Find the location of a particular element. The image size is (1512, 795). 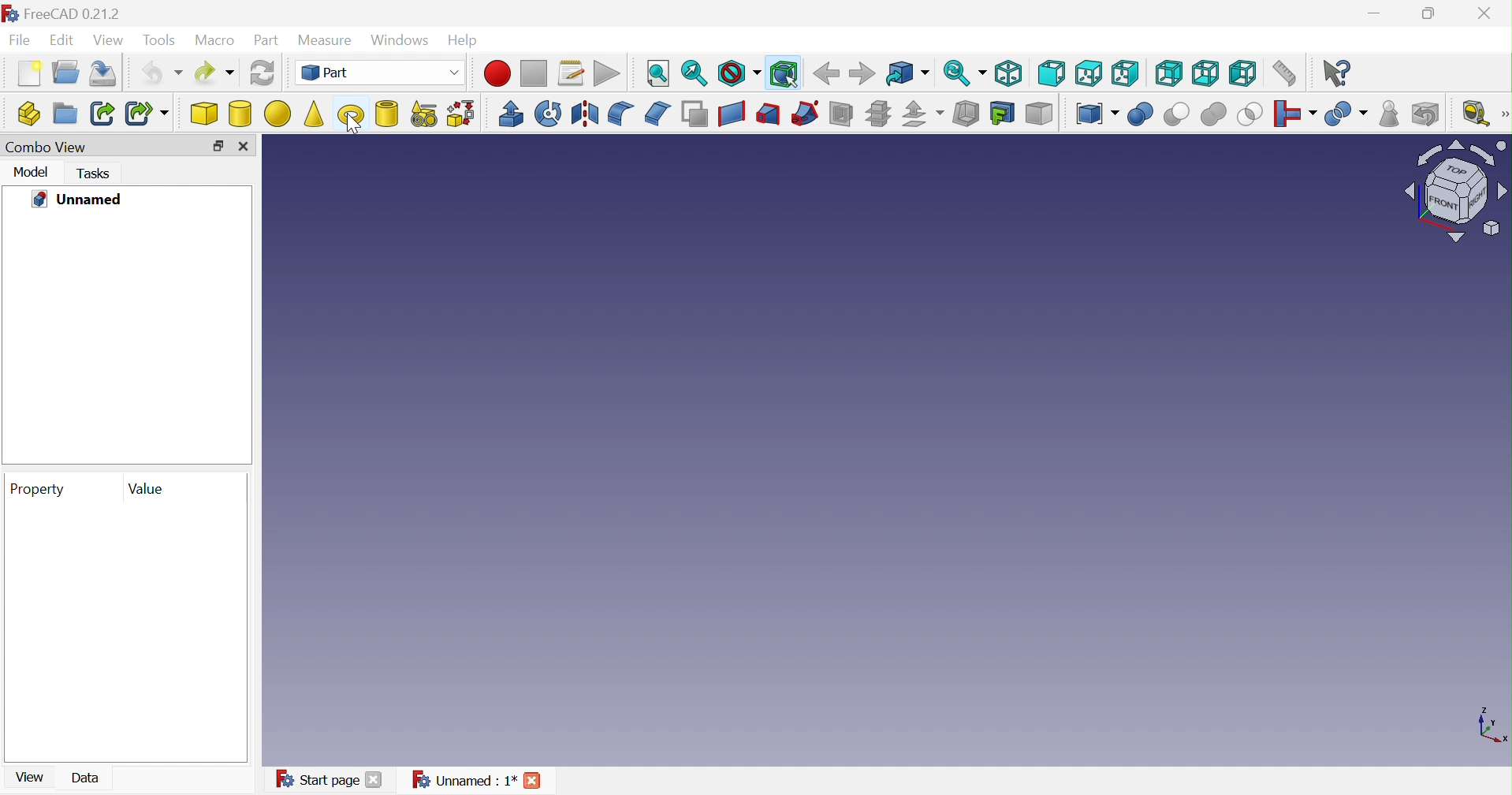

Boolean is located at coordinates (1140, 114).